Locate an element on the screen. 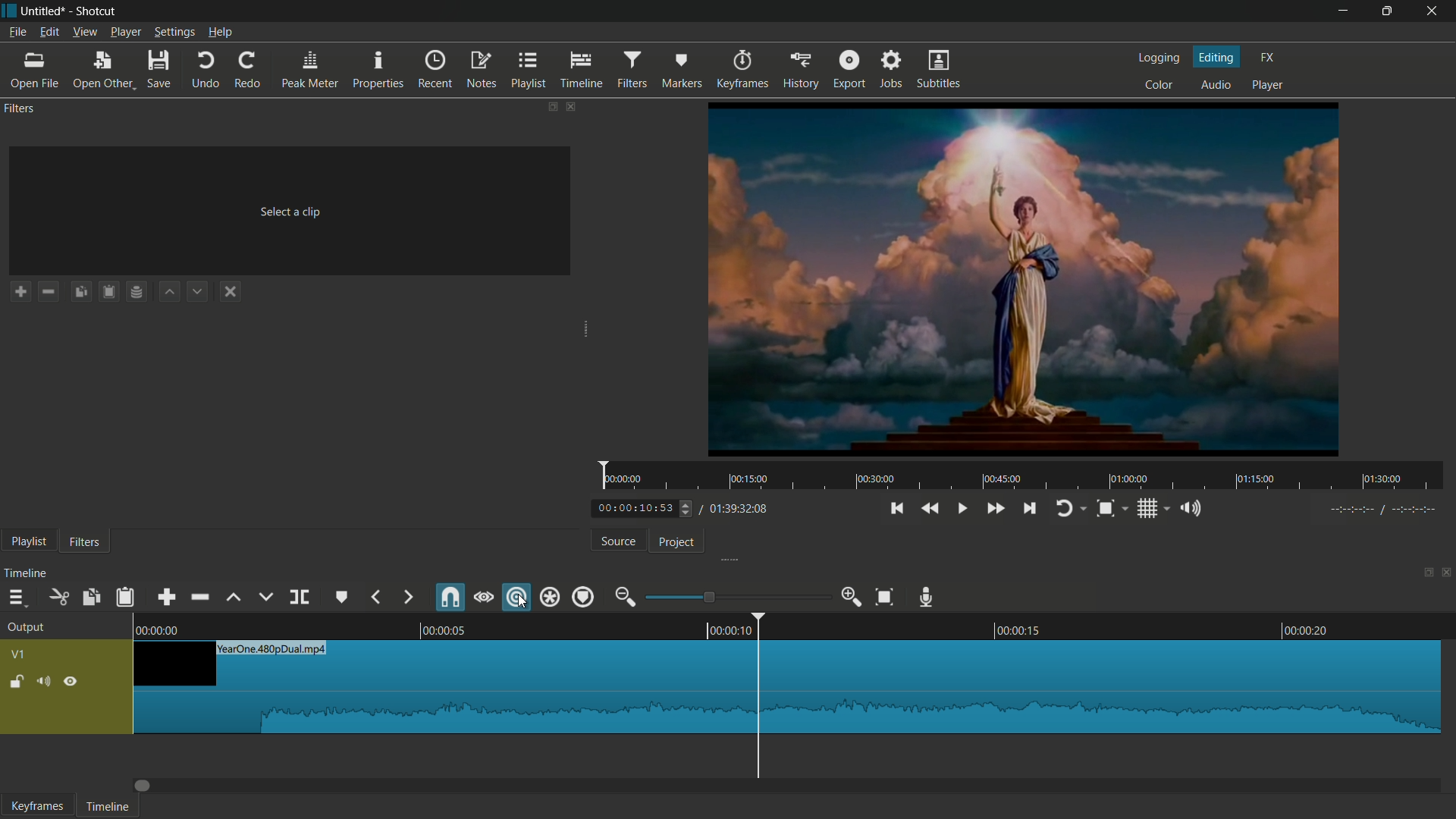 The width and height of the screenshot is (1456, 819). filters is located at coordinates (83, 541).